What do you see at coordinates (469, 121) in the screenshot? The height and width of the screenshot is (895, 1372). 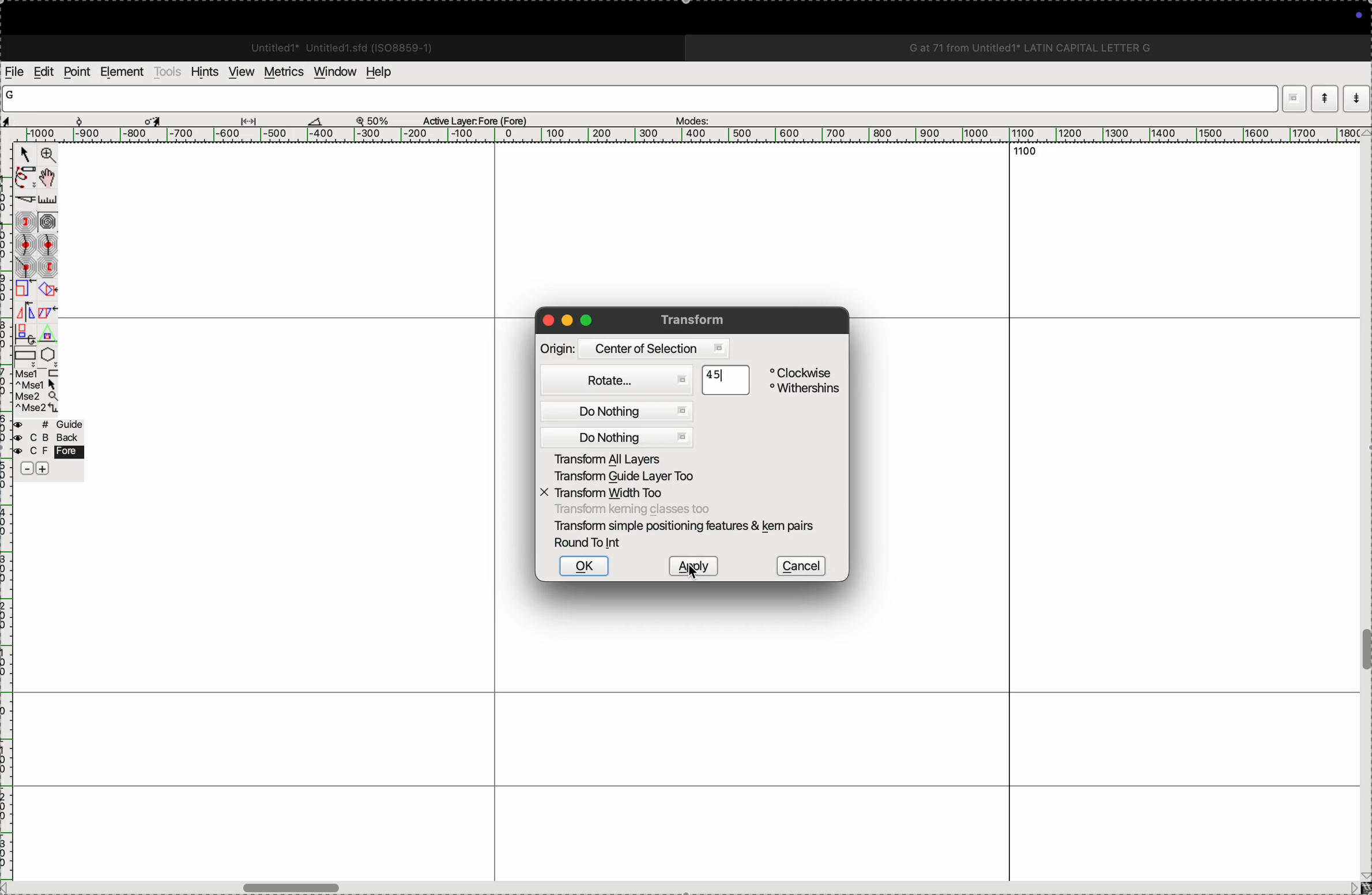 I see `Active Layer: Fore (Fore)` at bounding box center [469, 121].